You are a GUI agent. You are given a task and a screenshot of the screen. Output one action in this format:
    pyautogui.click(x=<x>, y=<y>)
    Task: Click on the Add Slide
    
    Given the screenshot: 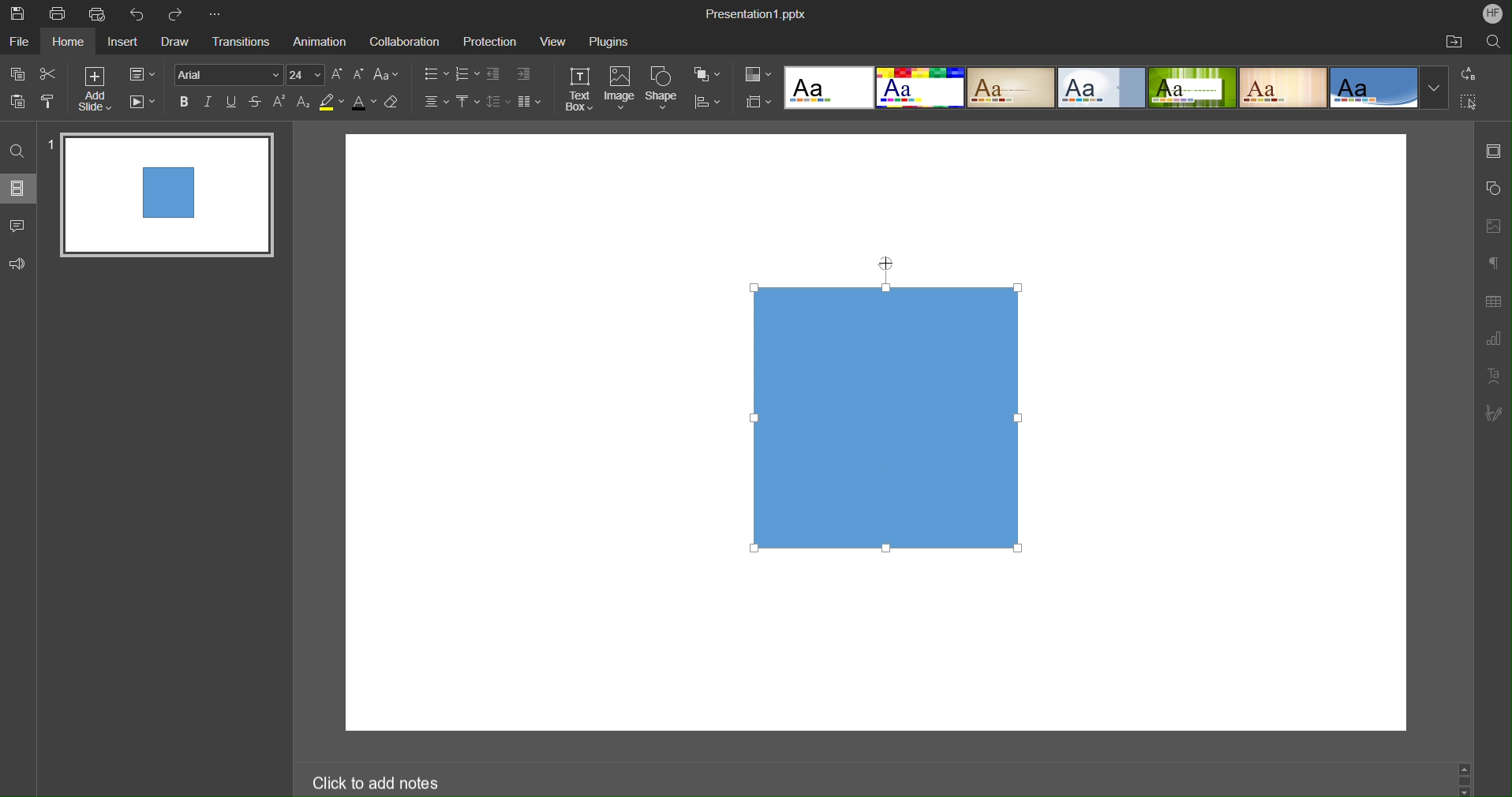 What is the action you would take?
    pyautogui.click(x=93, y=89)
    